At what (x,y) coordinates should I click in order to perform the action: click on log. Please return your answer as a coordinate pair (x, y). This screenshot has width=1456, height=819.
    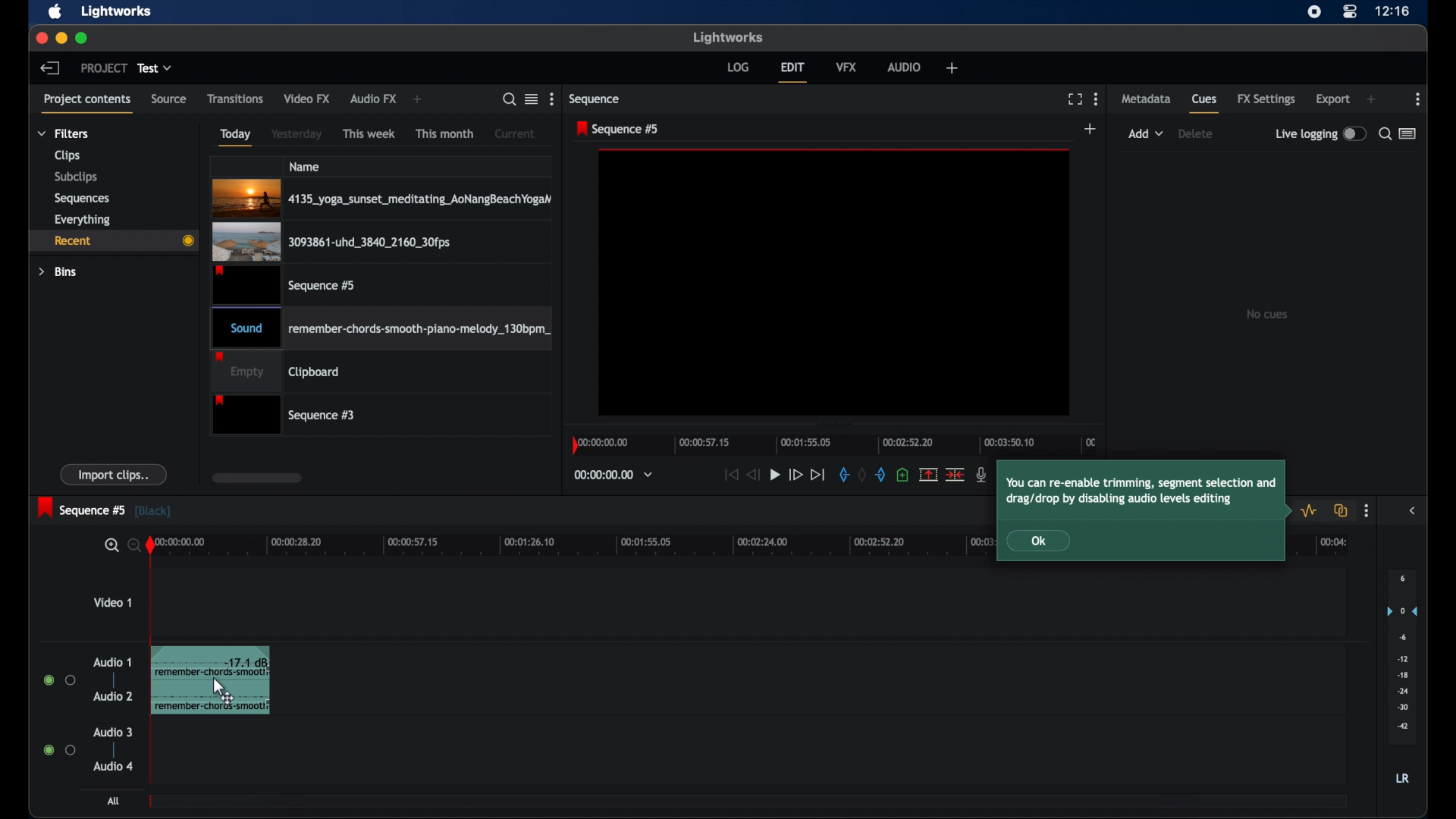
    Looking at the image, I should click on (738, 67).